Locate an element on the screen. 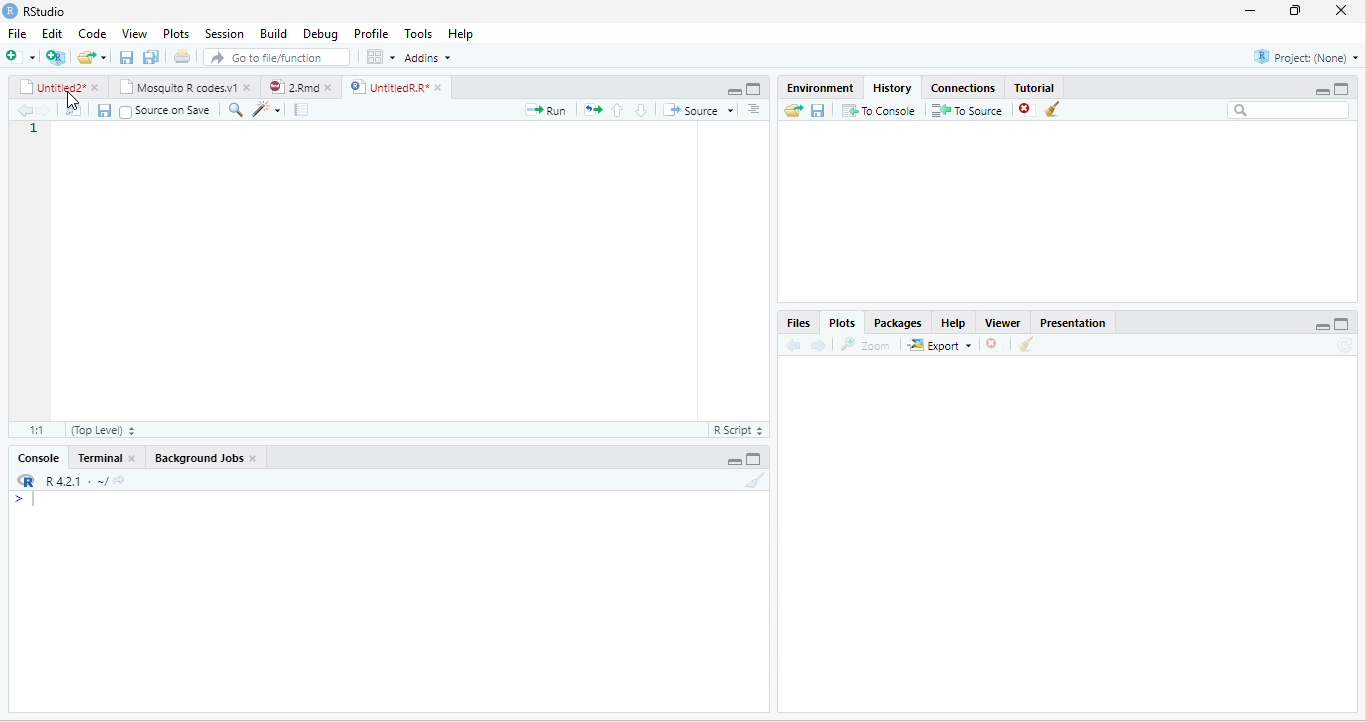  aximize  is located at coordinates (1348, 86).